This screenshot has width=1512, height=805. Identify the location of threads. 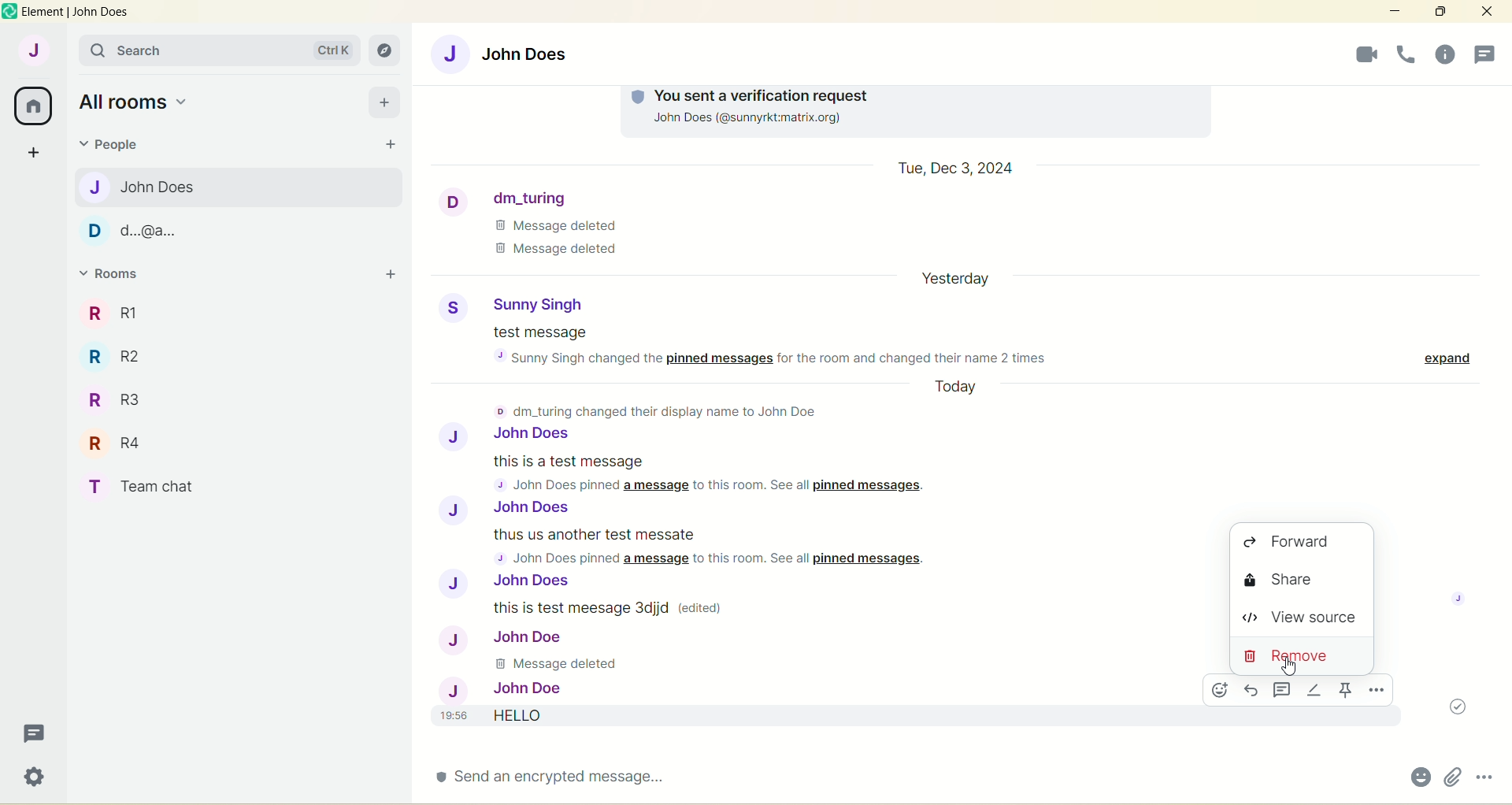
(31, 733).